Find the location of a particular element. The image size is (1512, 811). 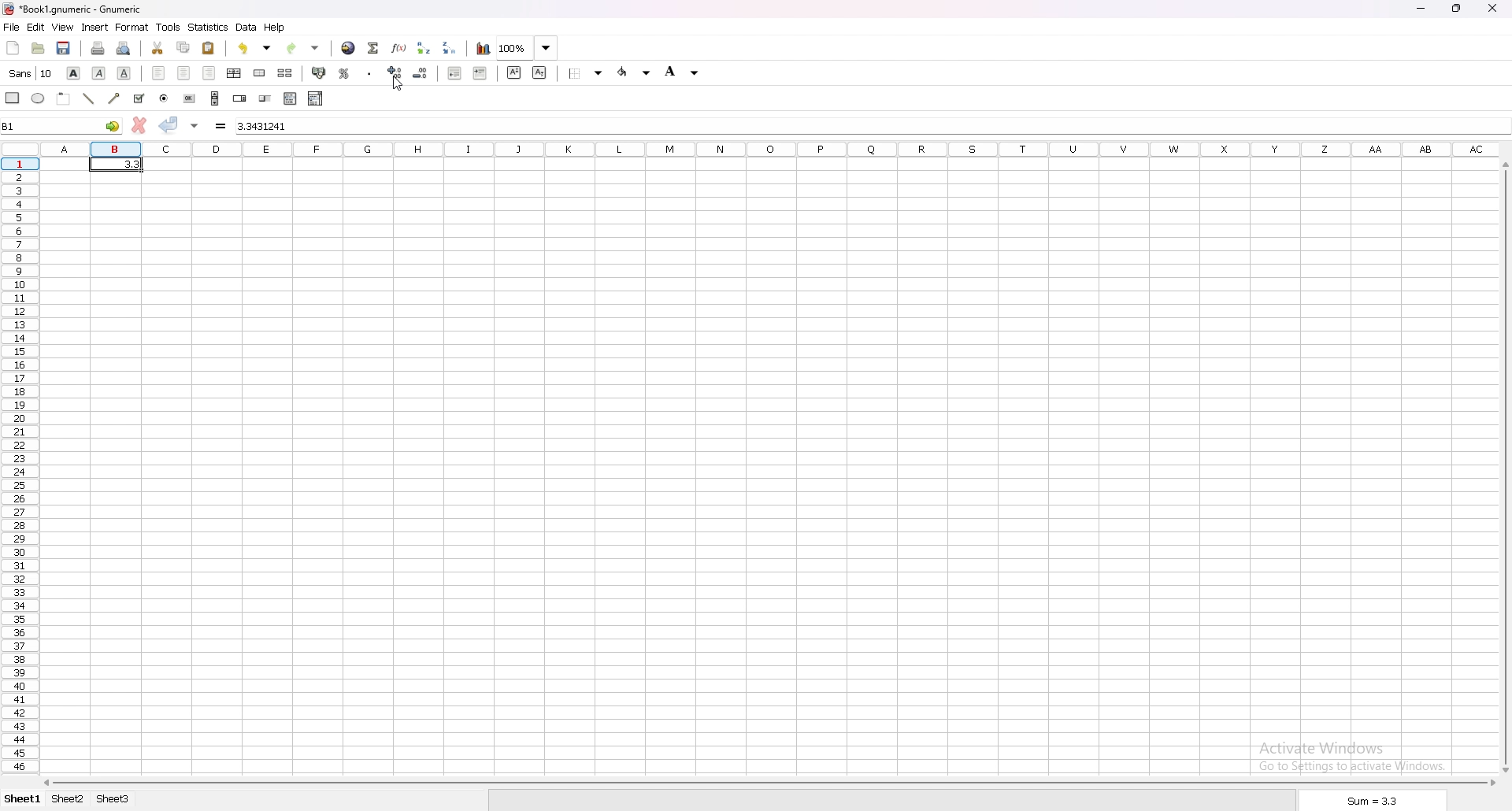

view is located at coordinates (63, 27).